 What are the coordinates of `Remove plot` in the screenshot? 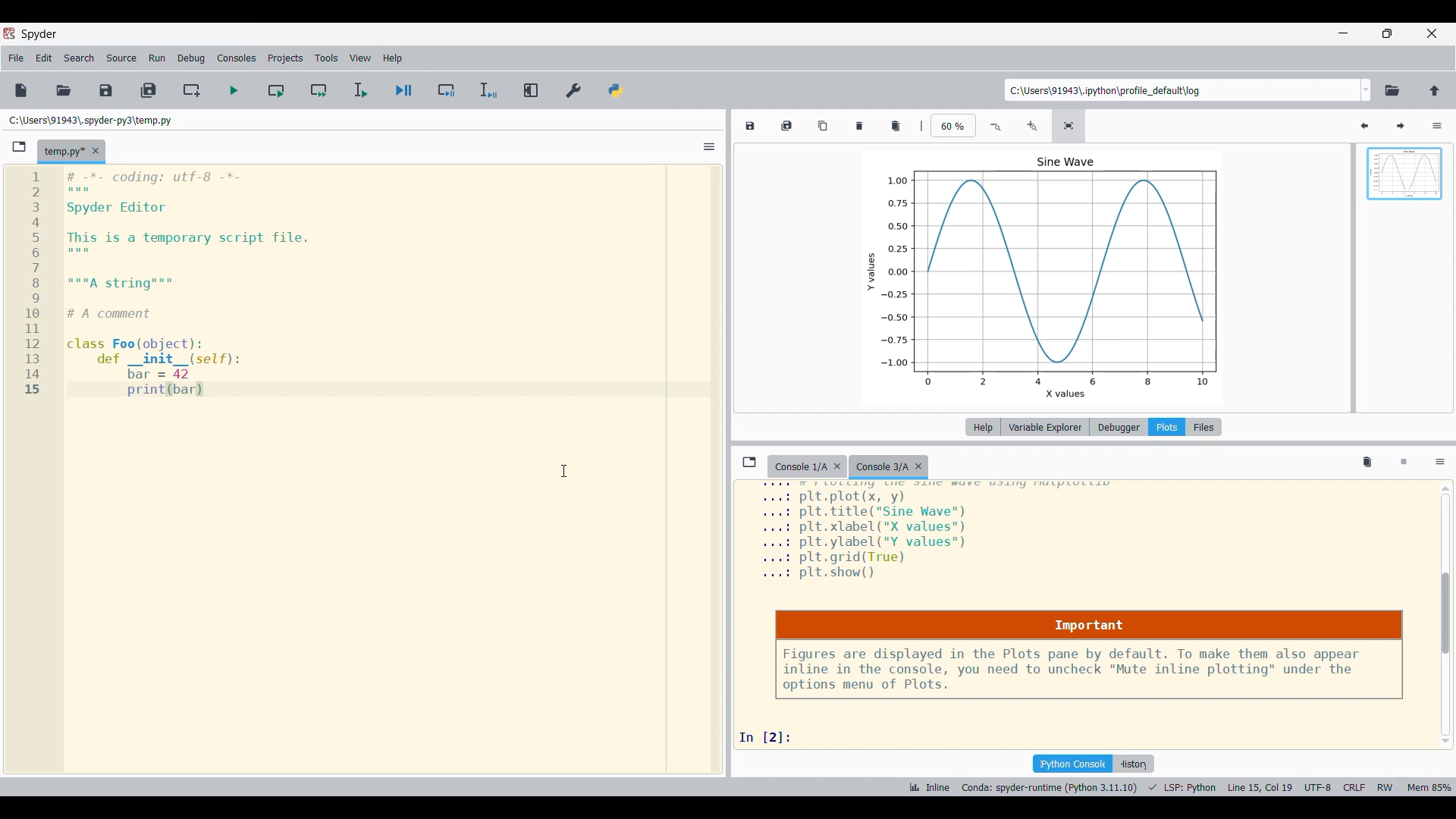 It's located at (860, 126).